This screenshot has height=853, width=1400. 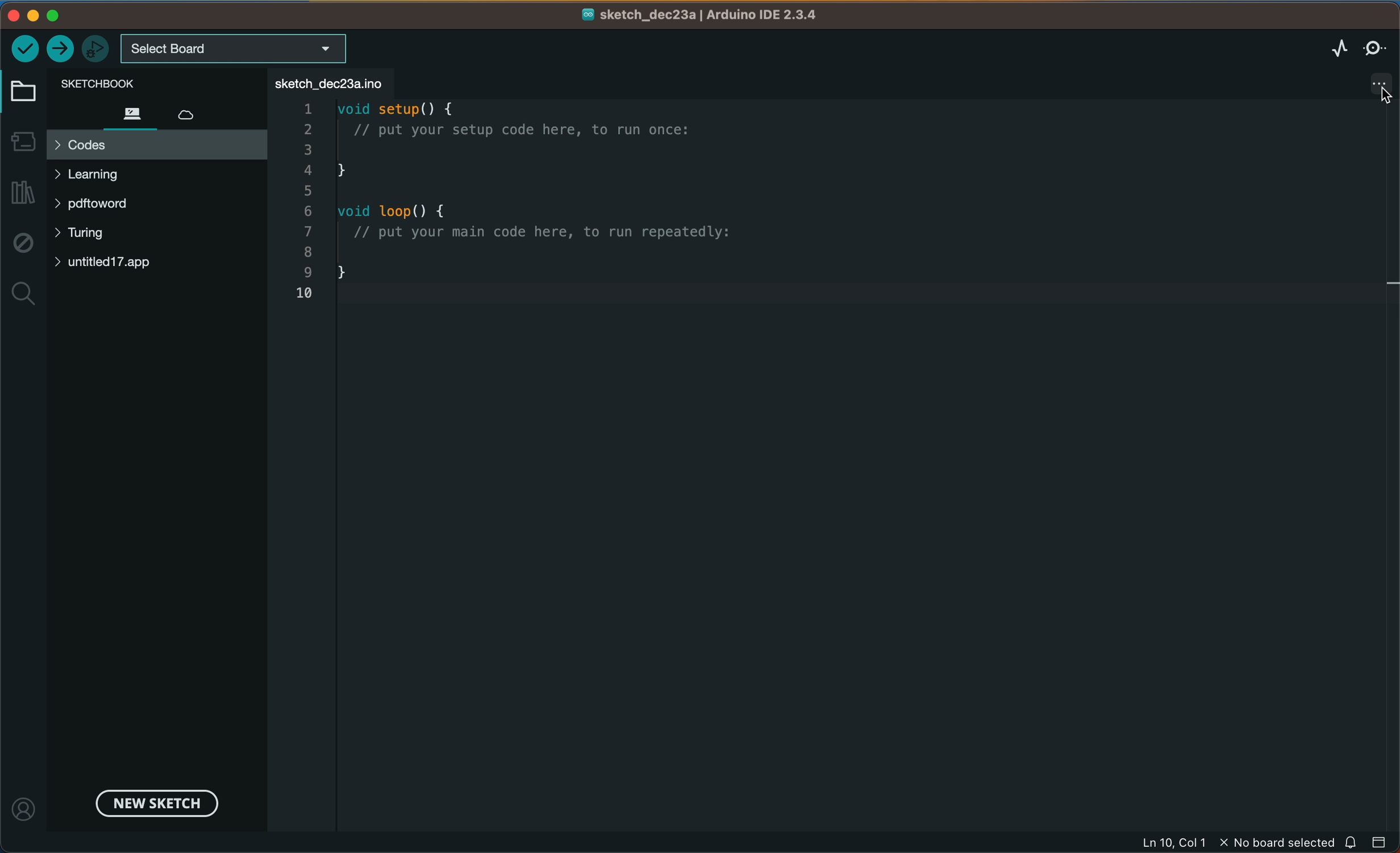 I want to click on sketchbook, so click(x=140, y=82).